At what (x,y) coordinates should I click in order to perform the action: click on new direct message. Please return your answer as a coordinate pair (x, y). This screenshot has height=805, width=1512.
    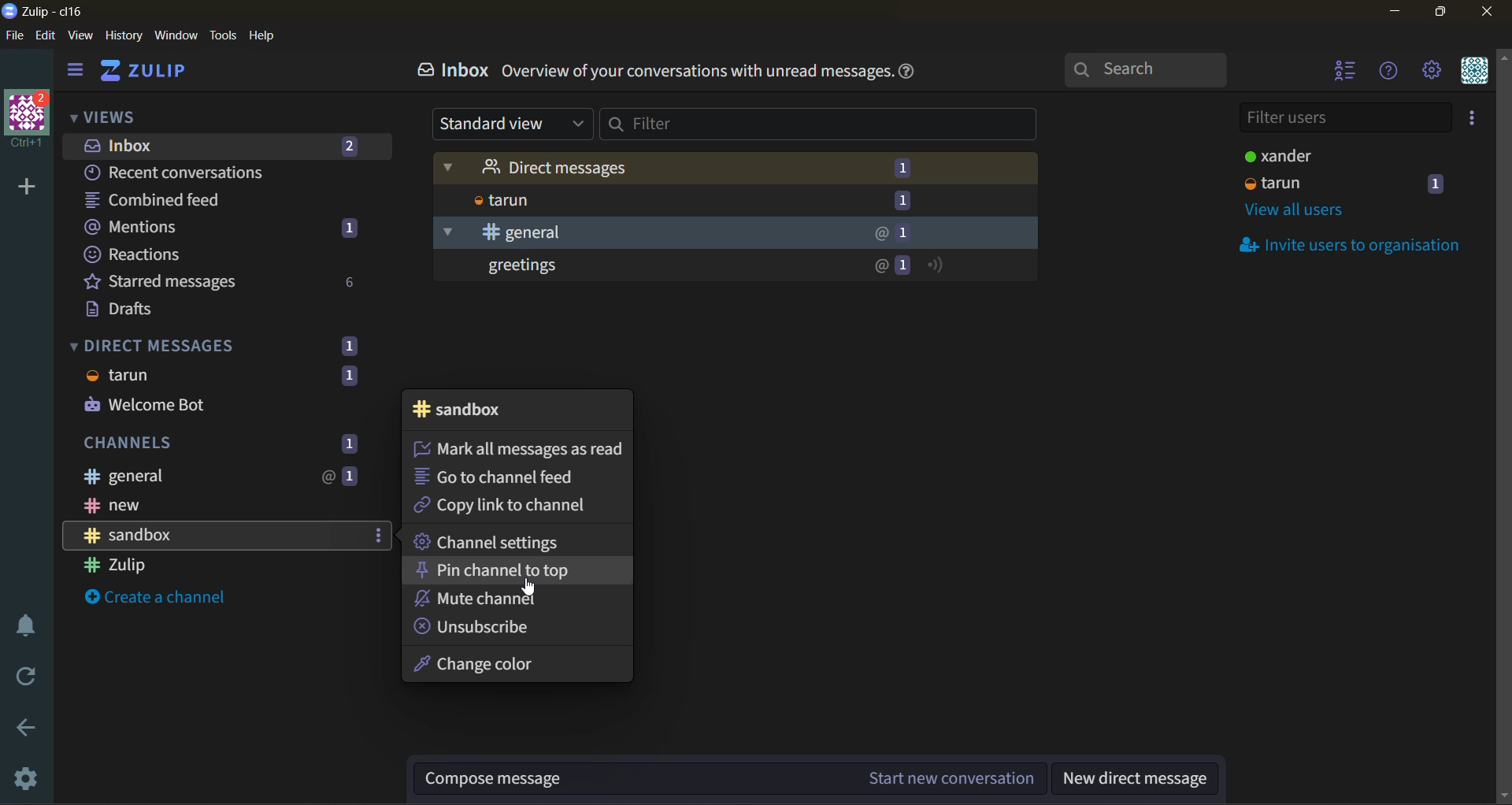
    Looking at the image, I should click on (1141, 779).